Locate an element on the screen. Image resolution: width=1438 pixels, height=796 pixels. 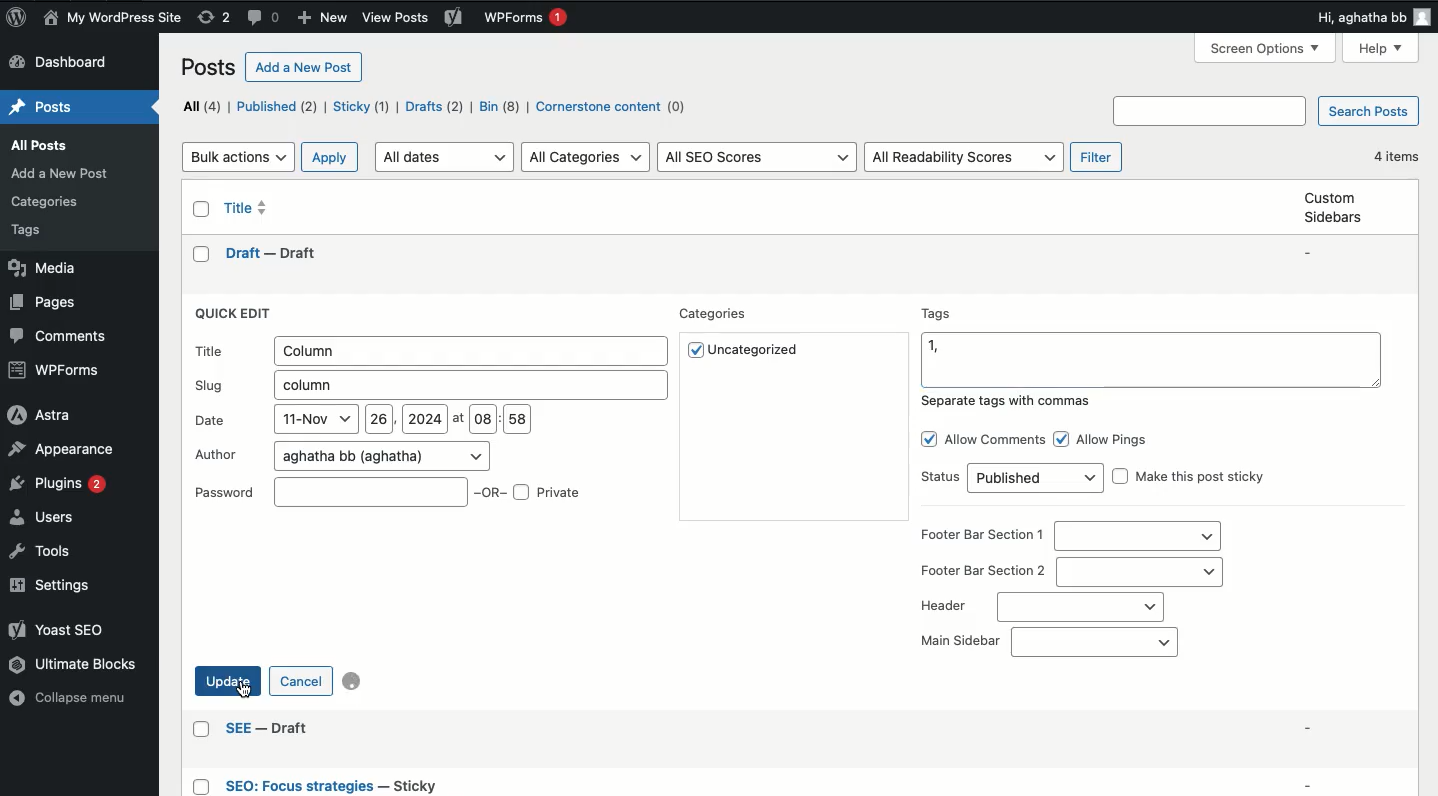
Revisions is located at coordinates (215, 18).